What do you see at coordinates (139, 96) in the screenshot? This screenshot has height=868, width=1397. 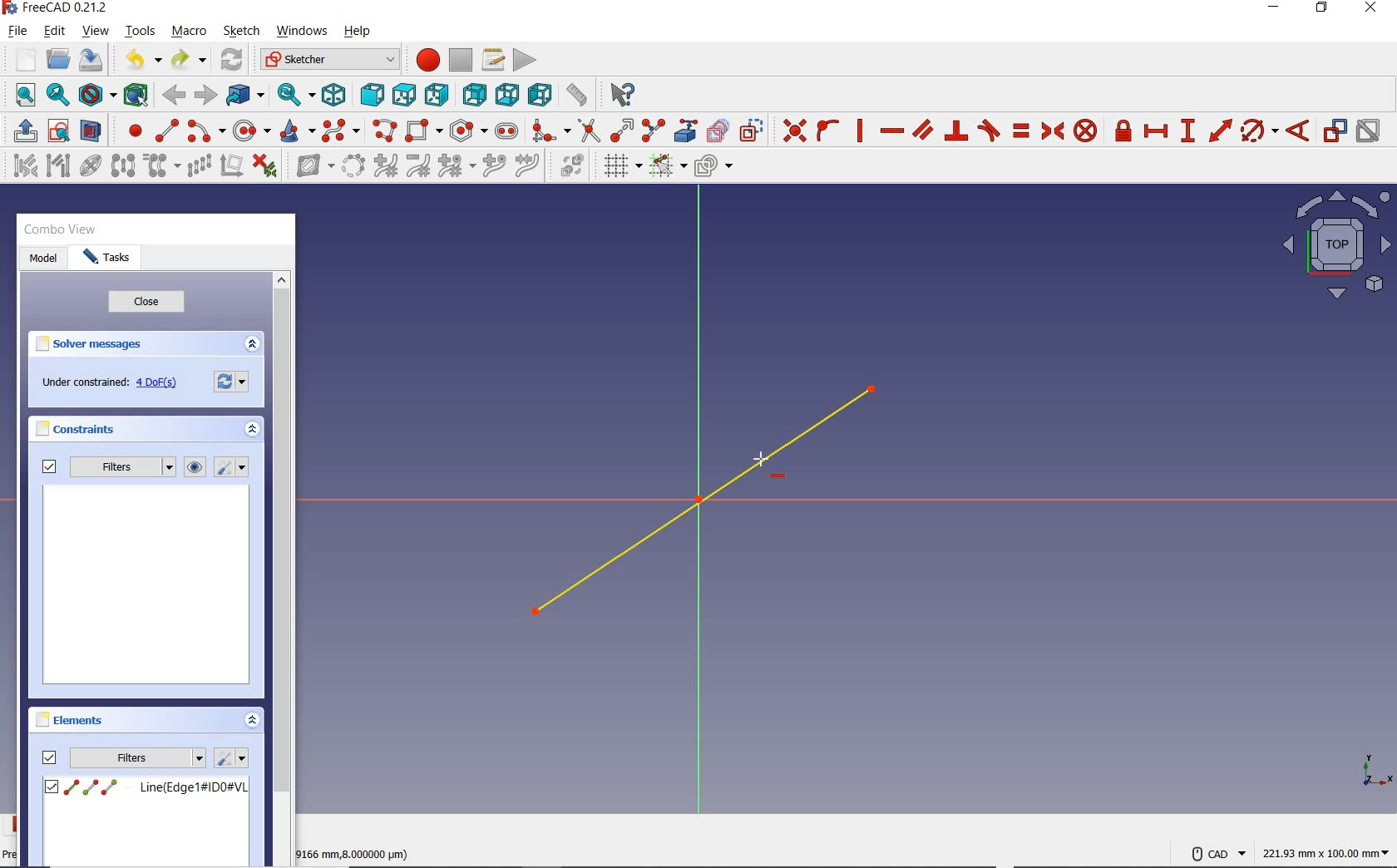 I see `BOUNDING BOX` at bounding box center [139, 96].